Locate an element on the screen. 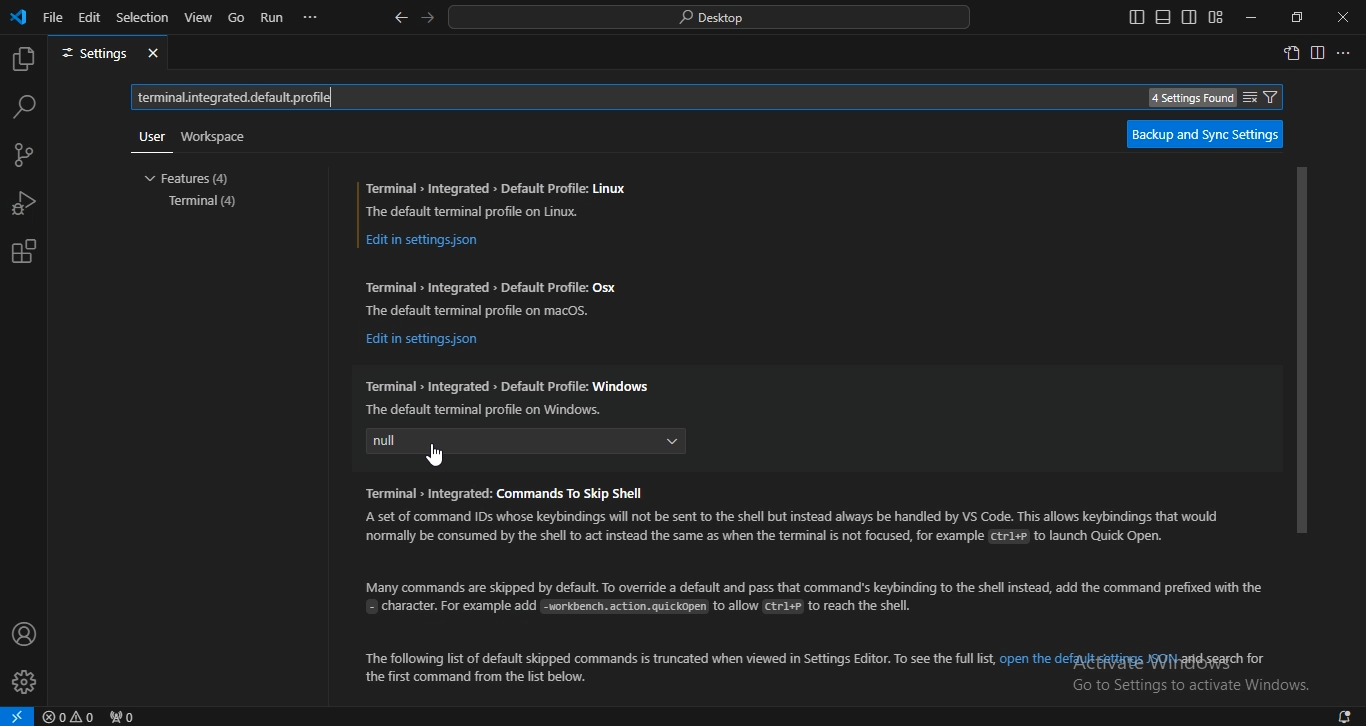 The image size is (1366, 726). filter is located at coordinates (1259, 97).